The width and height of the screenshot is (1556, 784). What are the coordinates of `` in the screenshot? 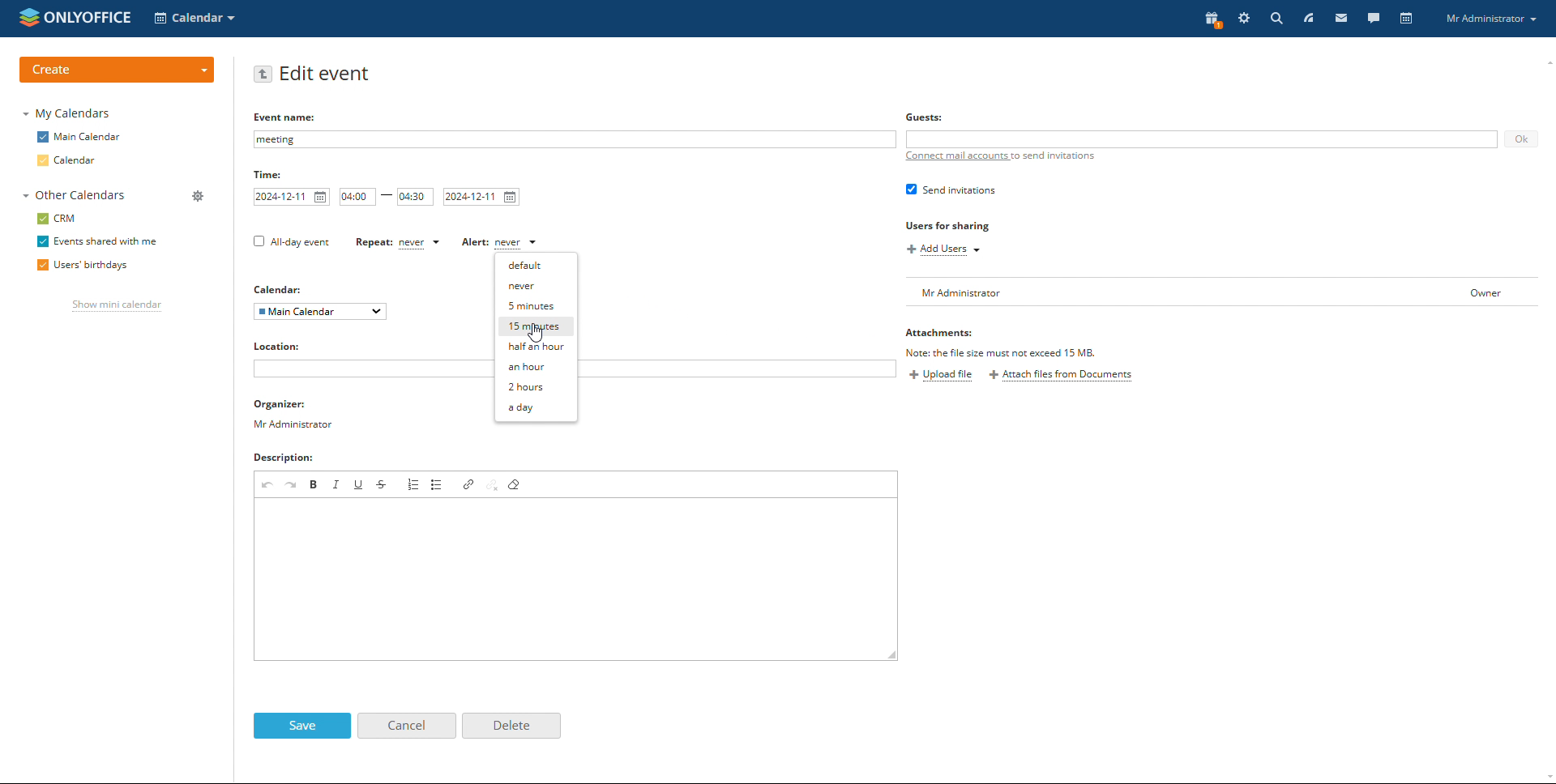 It's located at (926, 117).